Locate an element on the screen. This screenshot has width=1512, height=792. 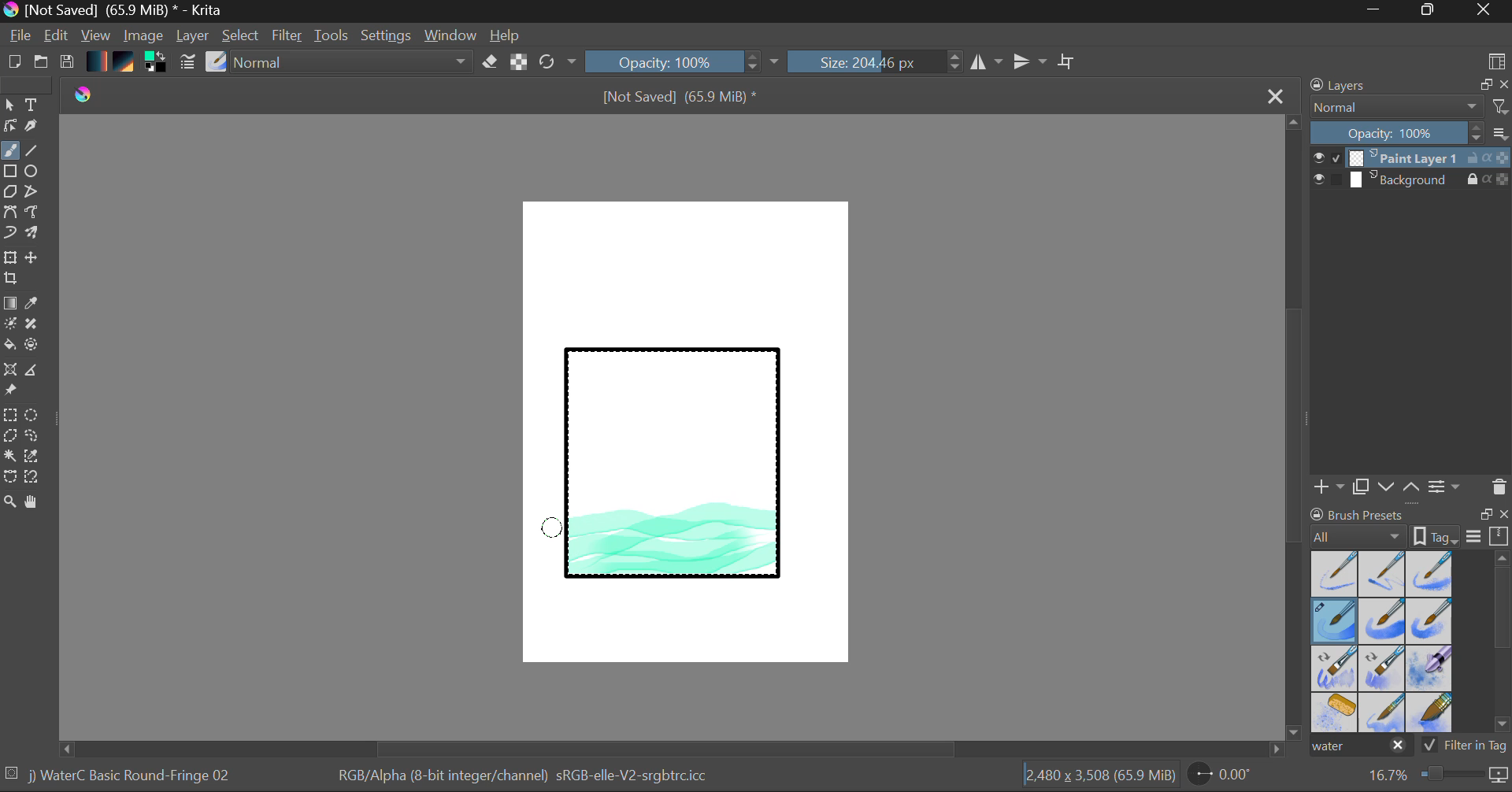
Tools is located at coordinates (332, 36).